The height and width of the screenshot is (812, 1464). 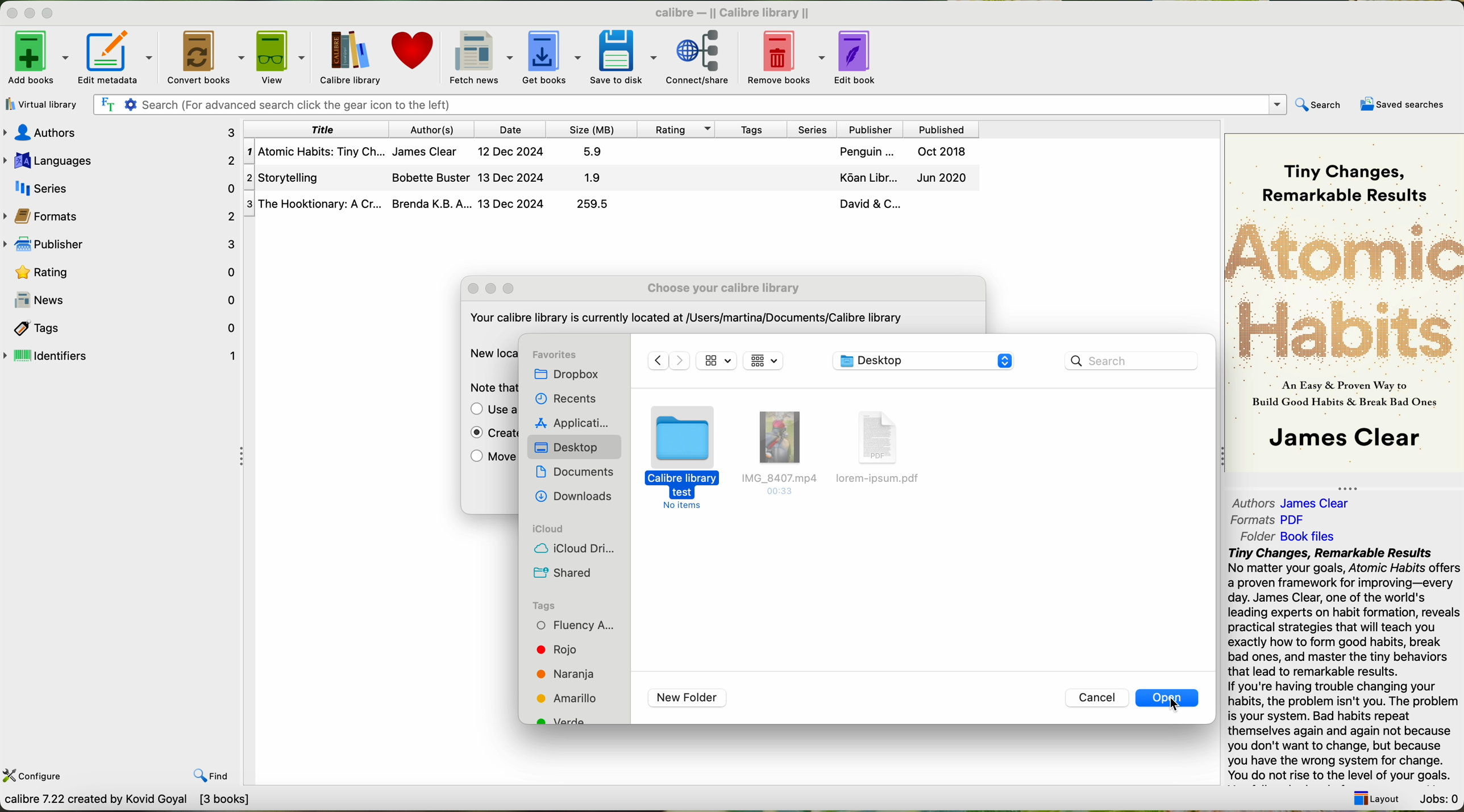 What do you see at coordinates (611, 205) in the screenshot?
I see `Third Book The Hooktionary` at bounding box center [611, 205].